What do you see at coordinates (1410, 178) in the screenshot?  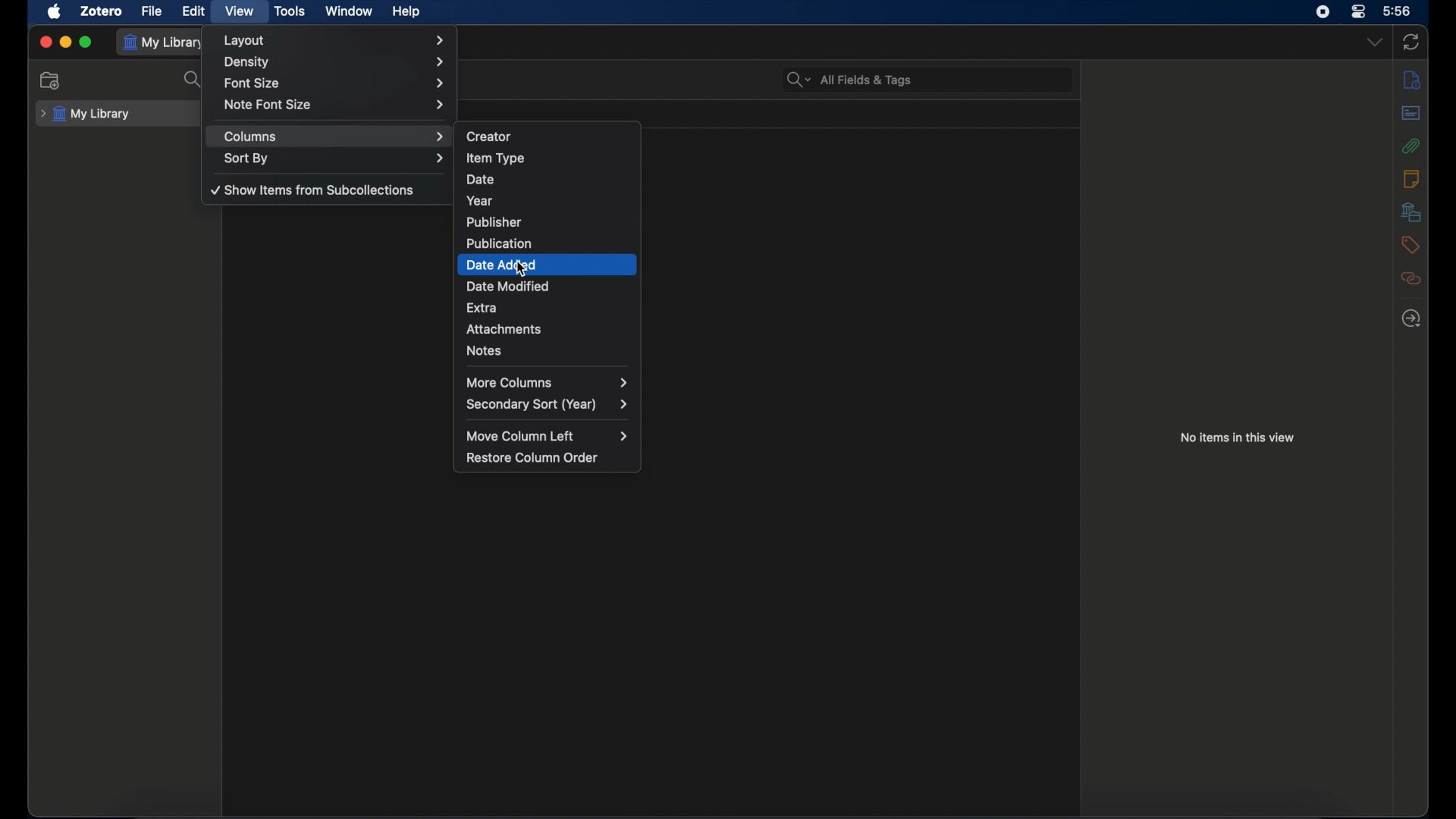 I see `notes` at bounding box center [1410, 178].